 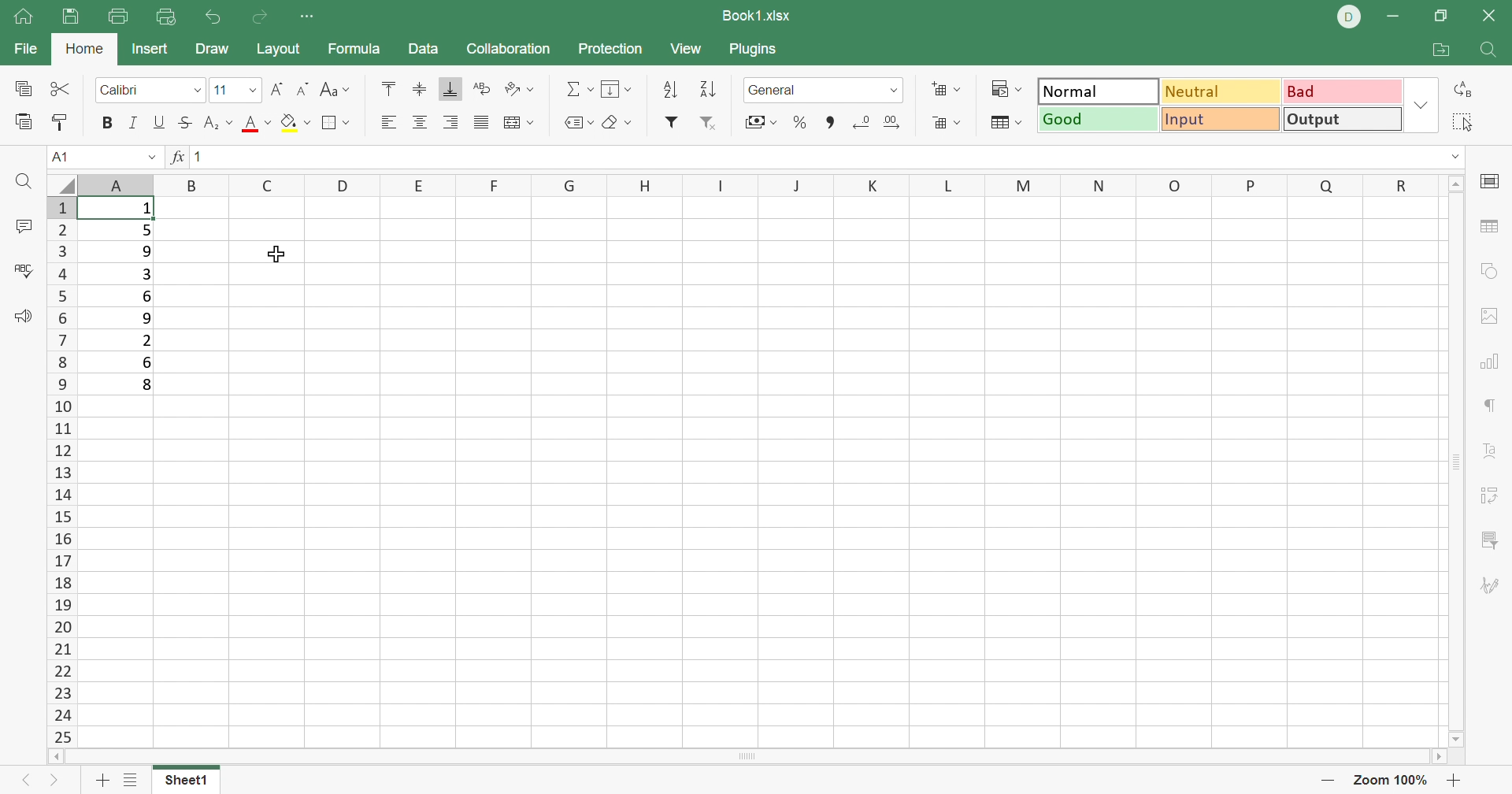 I want to click on Image settings, so click(x=1491, y=317).